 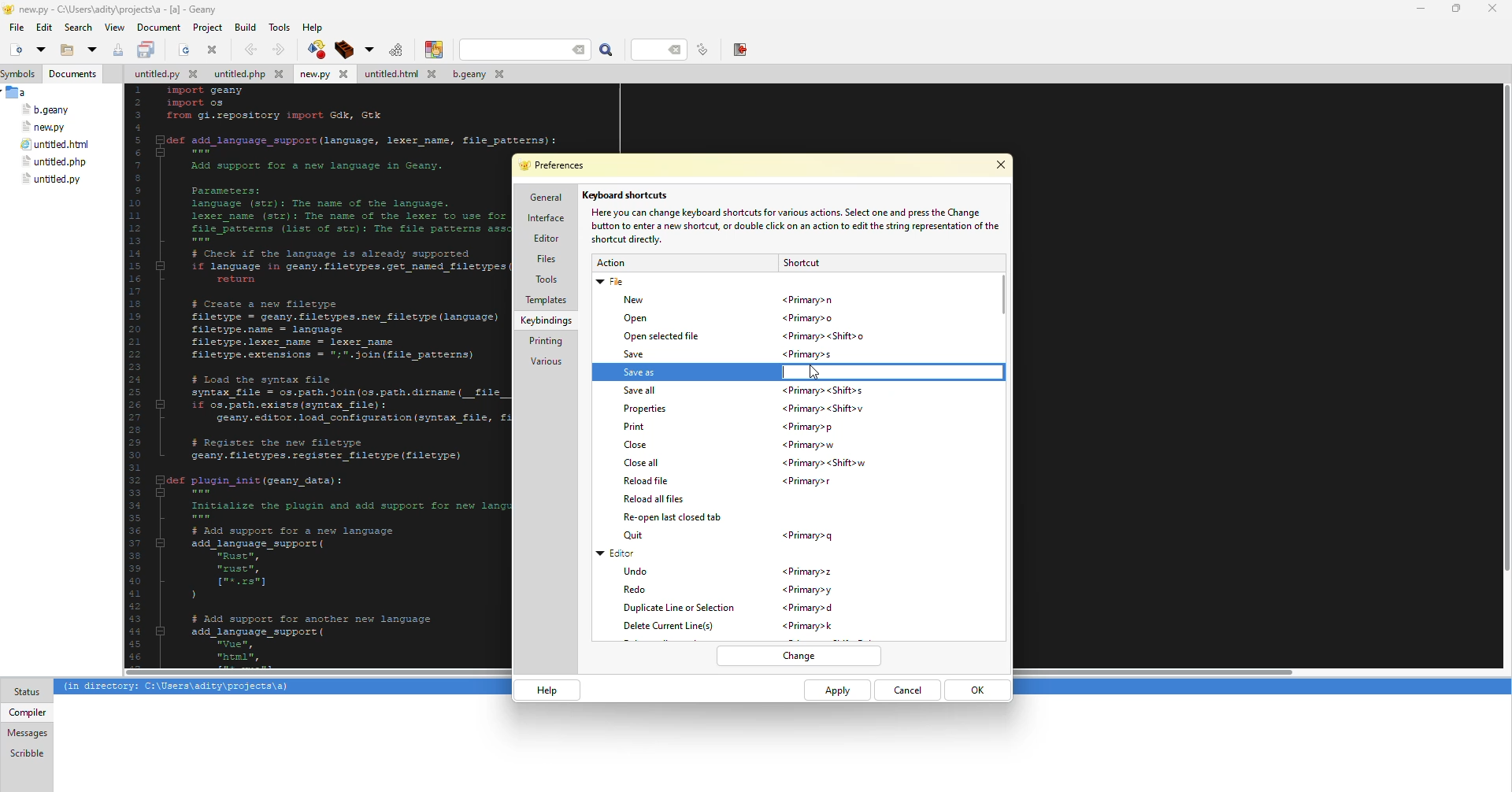 What do you see at coordinates (398, 75) in the screenshot?
I see `file` at bounding box center [398, 75].